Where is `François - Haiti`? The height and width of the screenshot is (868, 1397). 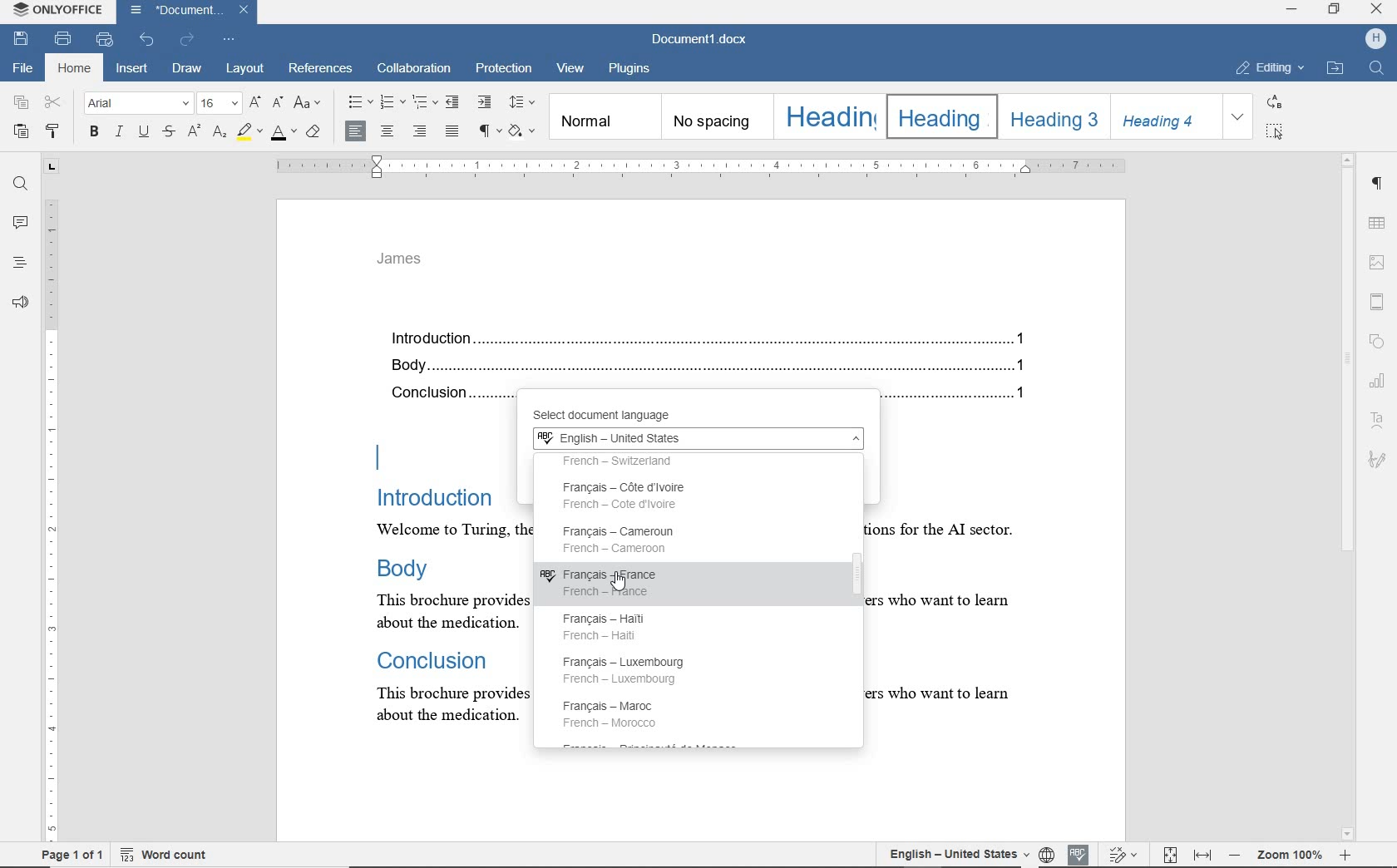
François - Haiti is located at coordinates (612, 624).